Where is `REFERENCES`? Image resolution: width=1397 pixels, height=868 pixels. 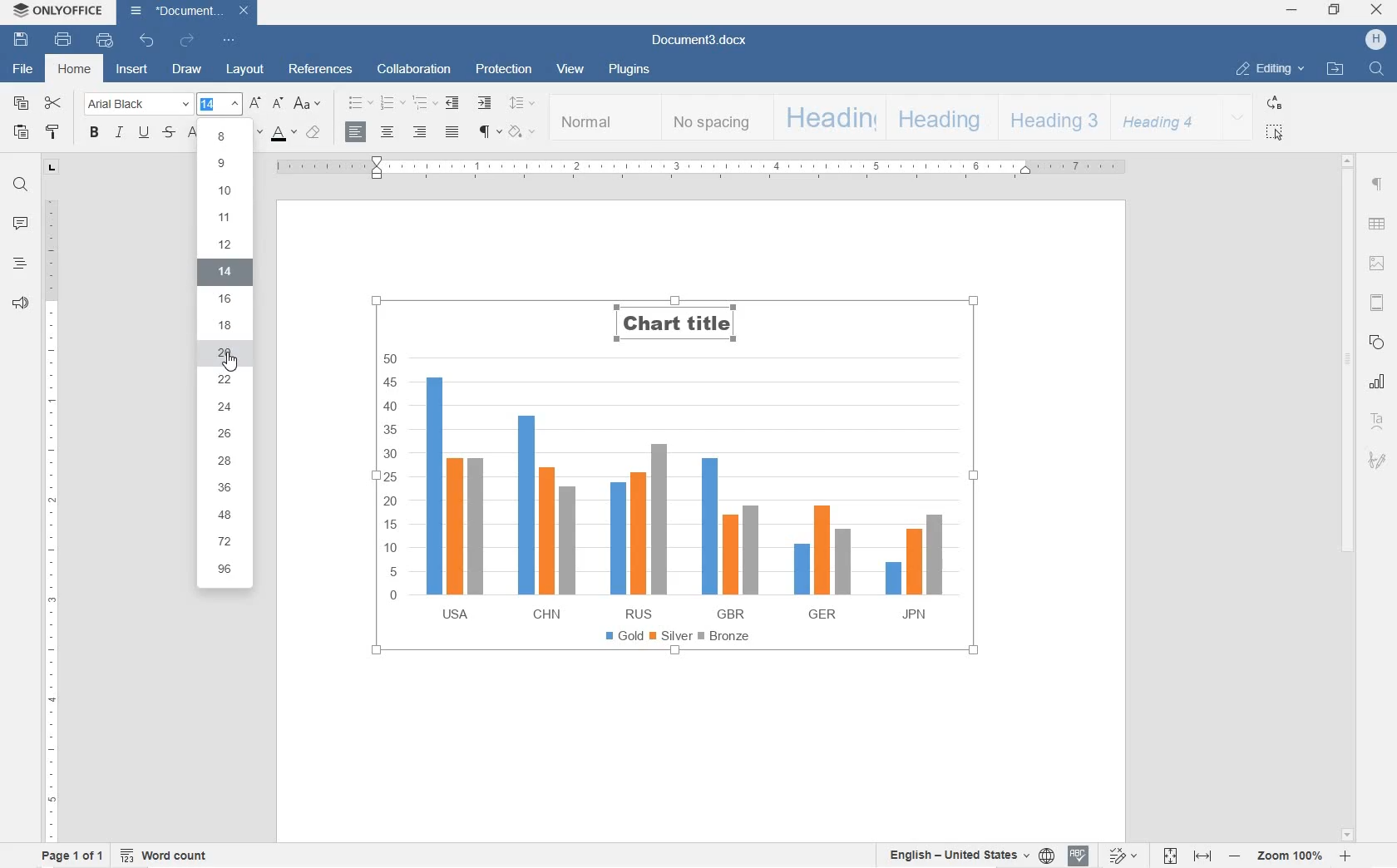
REFERENCES is located at coordinates (321, 67).